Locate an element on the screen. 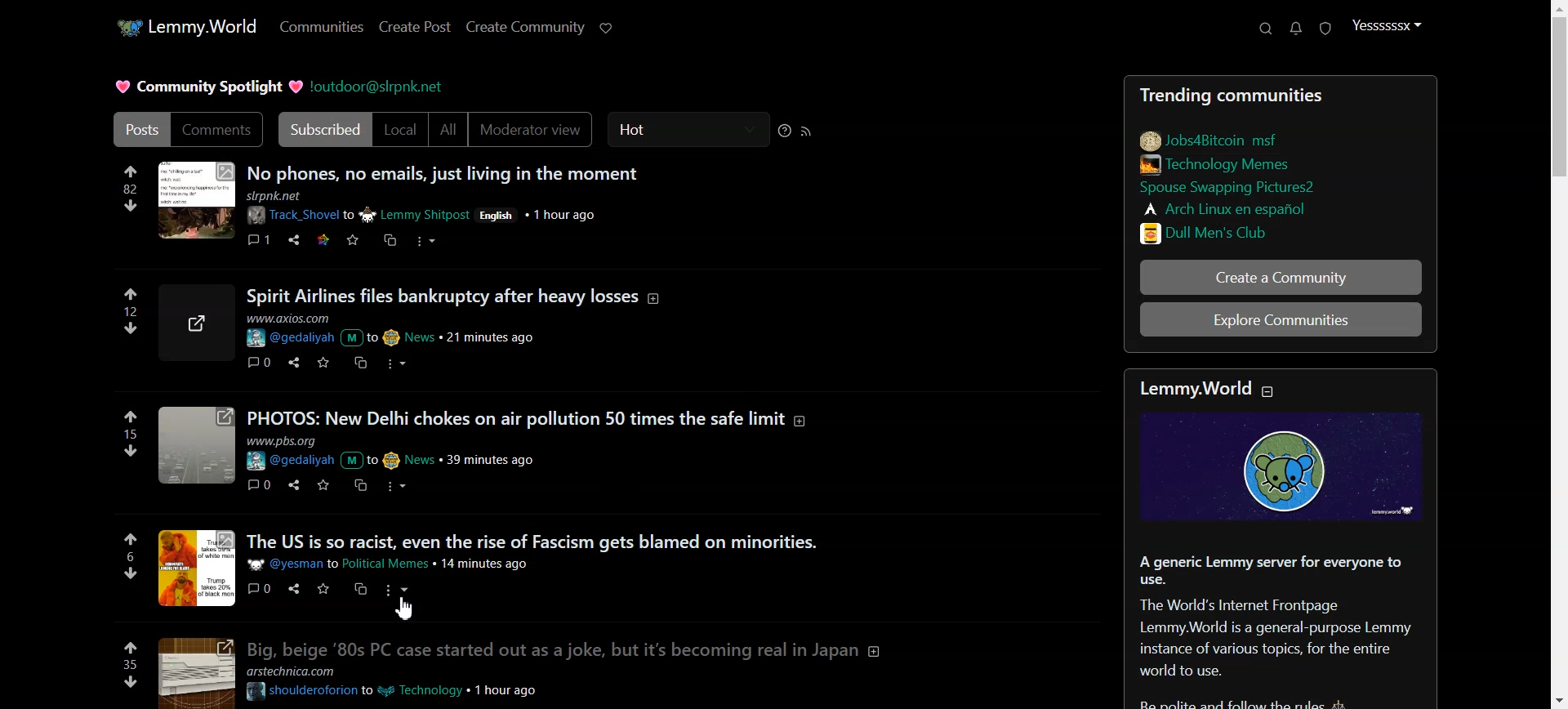  link is located at coordinates (1247, 189).